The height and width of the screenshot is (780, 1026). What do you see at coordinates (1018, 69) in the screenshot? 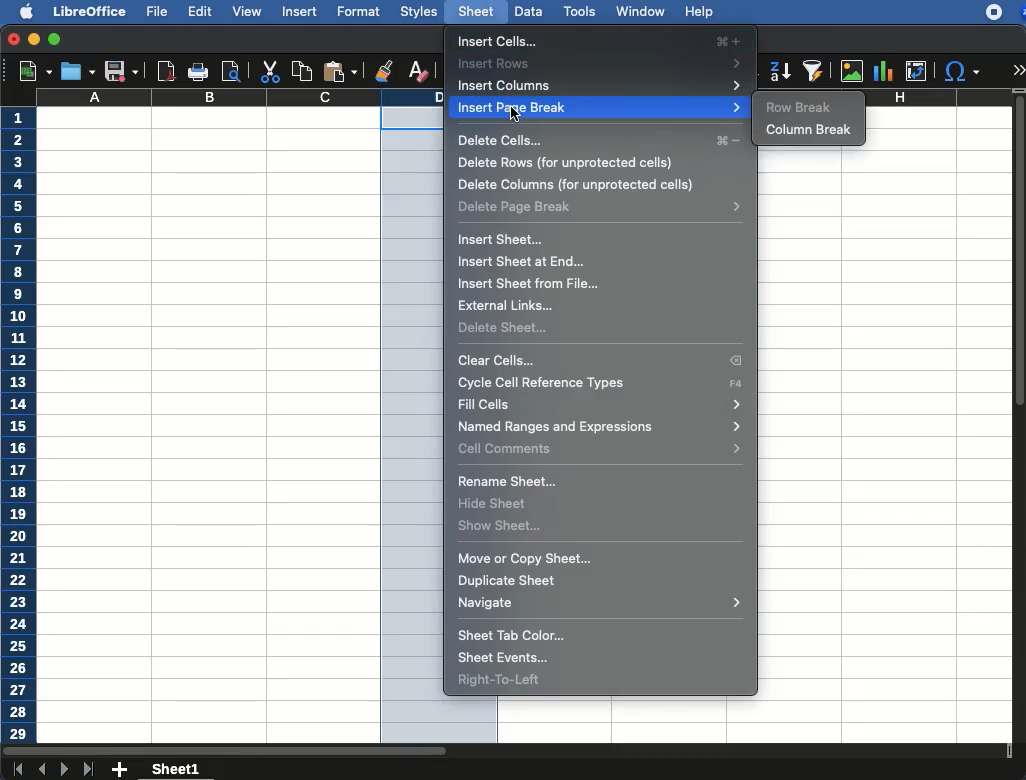
I see `expand` at bounding box center [1018, 69].